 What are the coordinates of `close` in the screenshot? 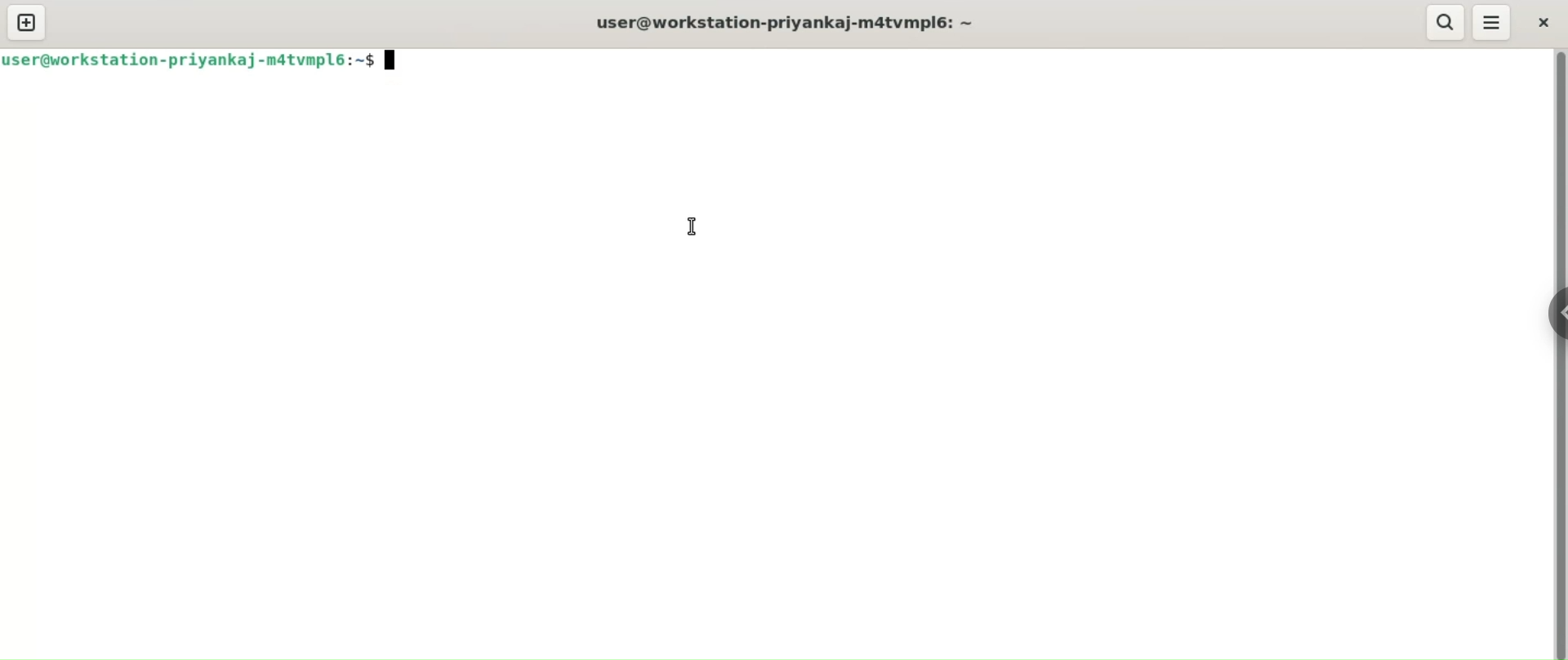 It's located at (1546, 23).